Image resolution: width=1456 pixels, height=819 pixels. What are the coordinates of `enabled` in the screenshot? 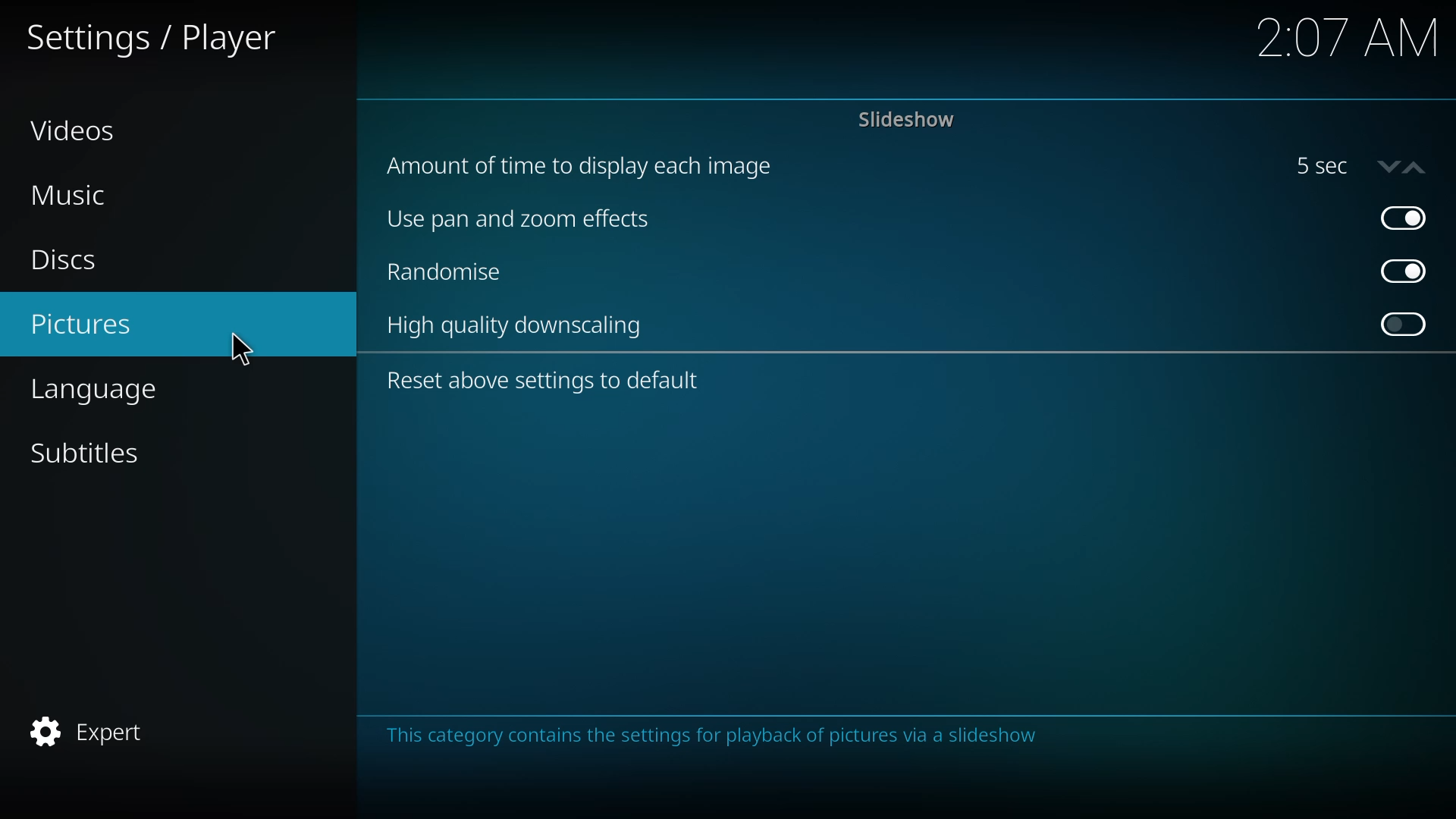 It's located at (1404, 217).